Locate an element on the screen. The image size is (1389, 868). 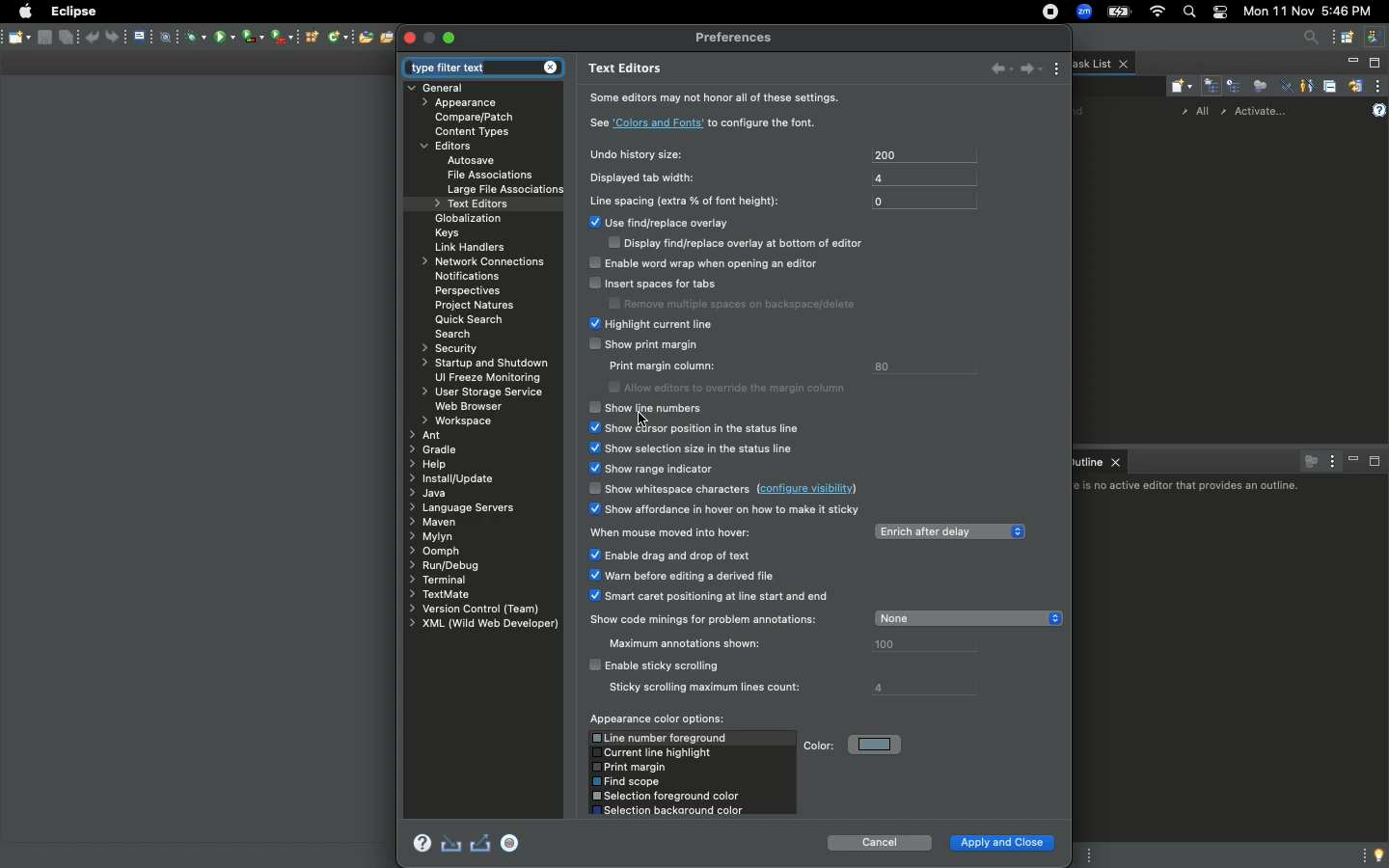
Security is located at coordinates (451, 348).